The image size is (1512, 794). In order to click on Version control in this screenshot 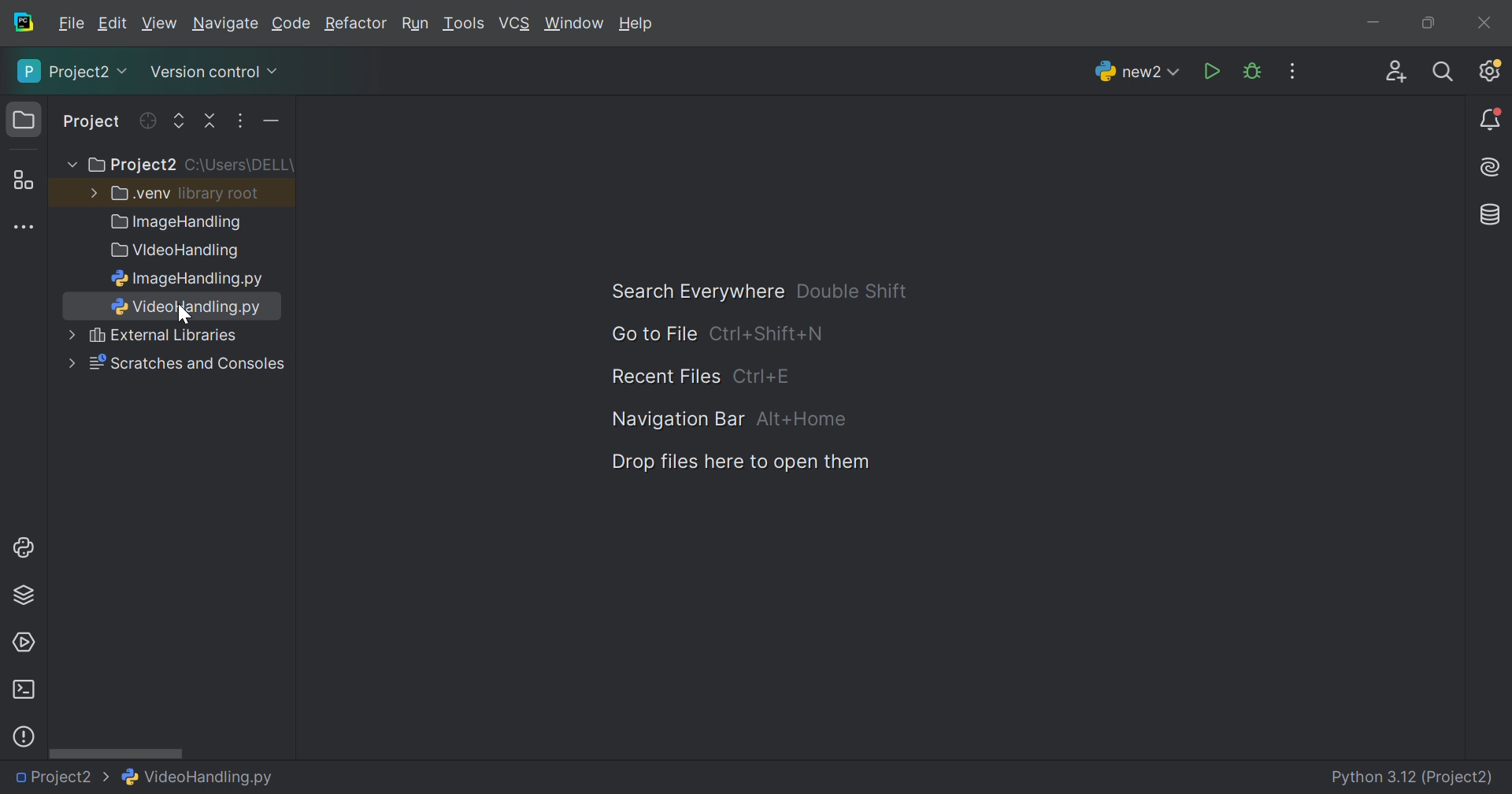, I will do `click(213, 75)`.